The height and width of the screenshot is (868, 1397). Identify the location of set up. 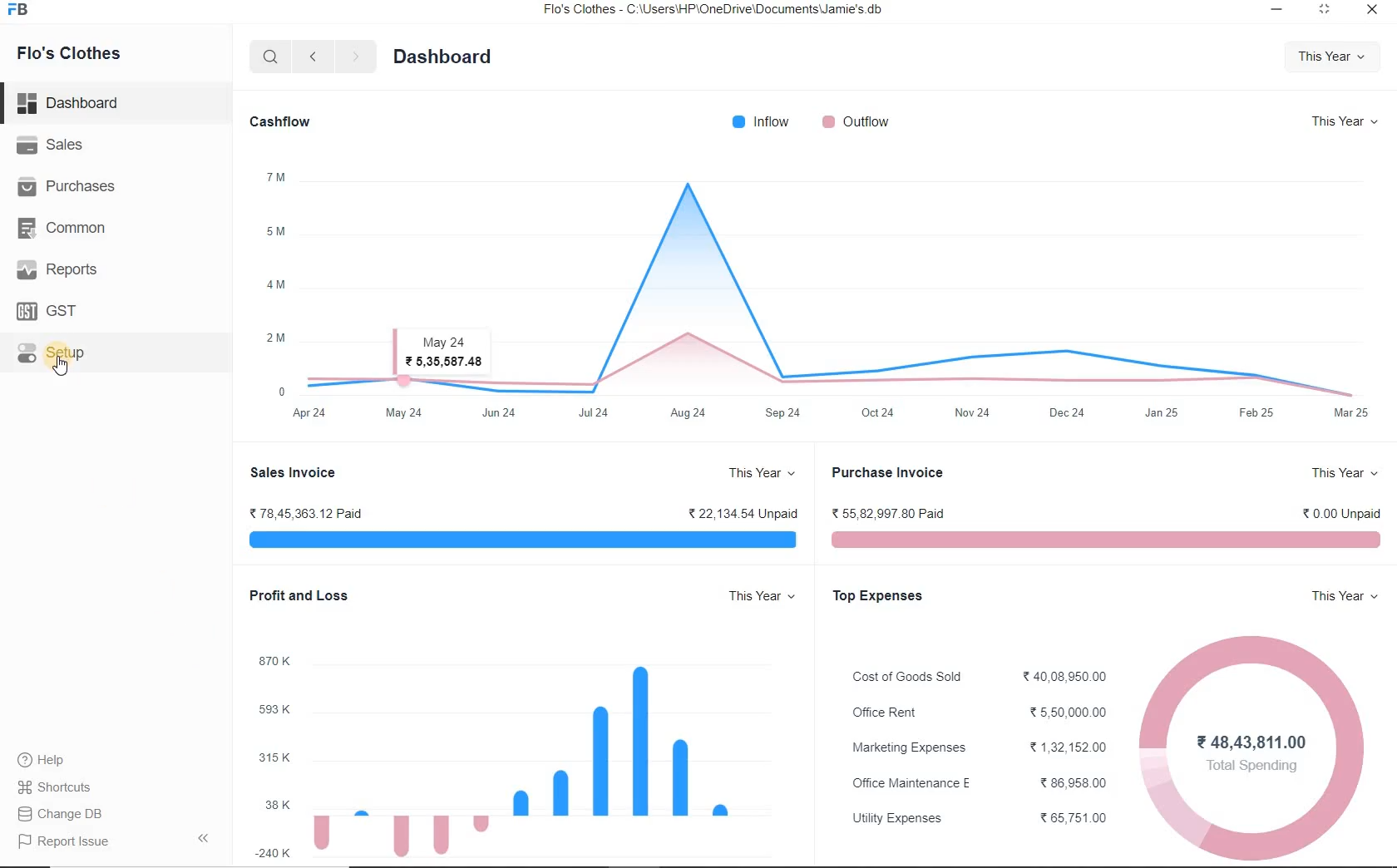
(52, 354).